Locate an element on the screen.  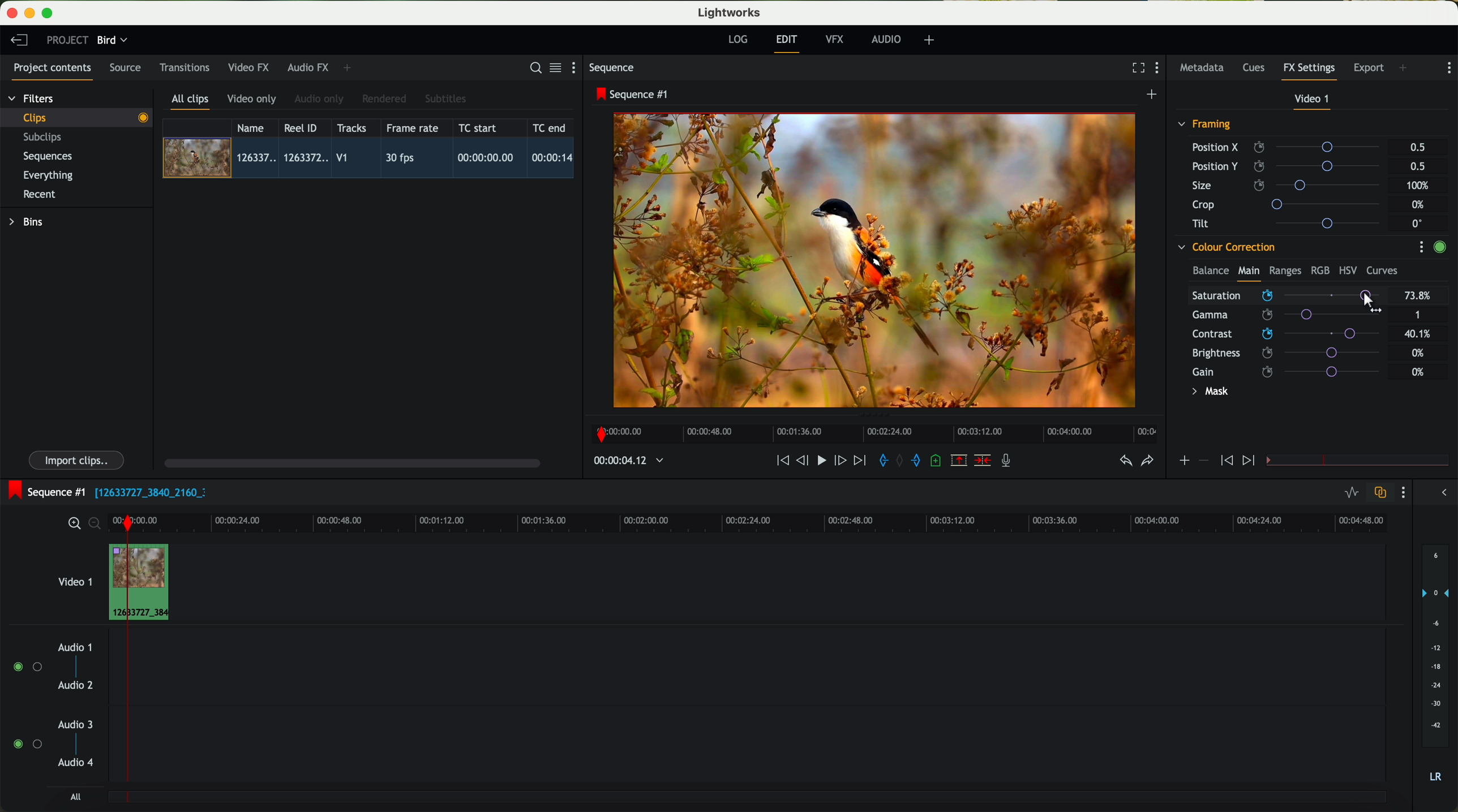
crop is located at coordinates (1290, 204).